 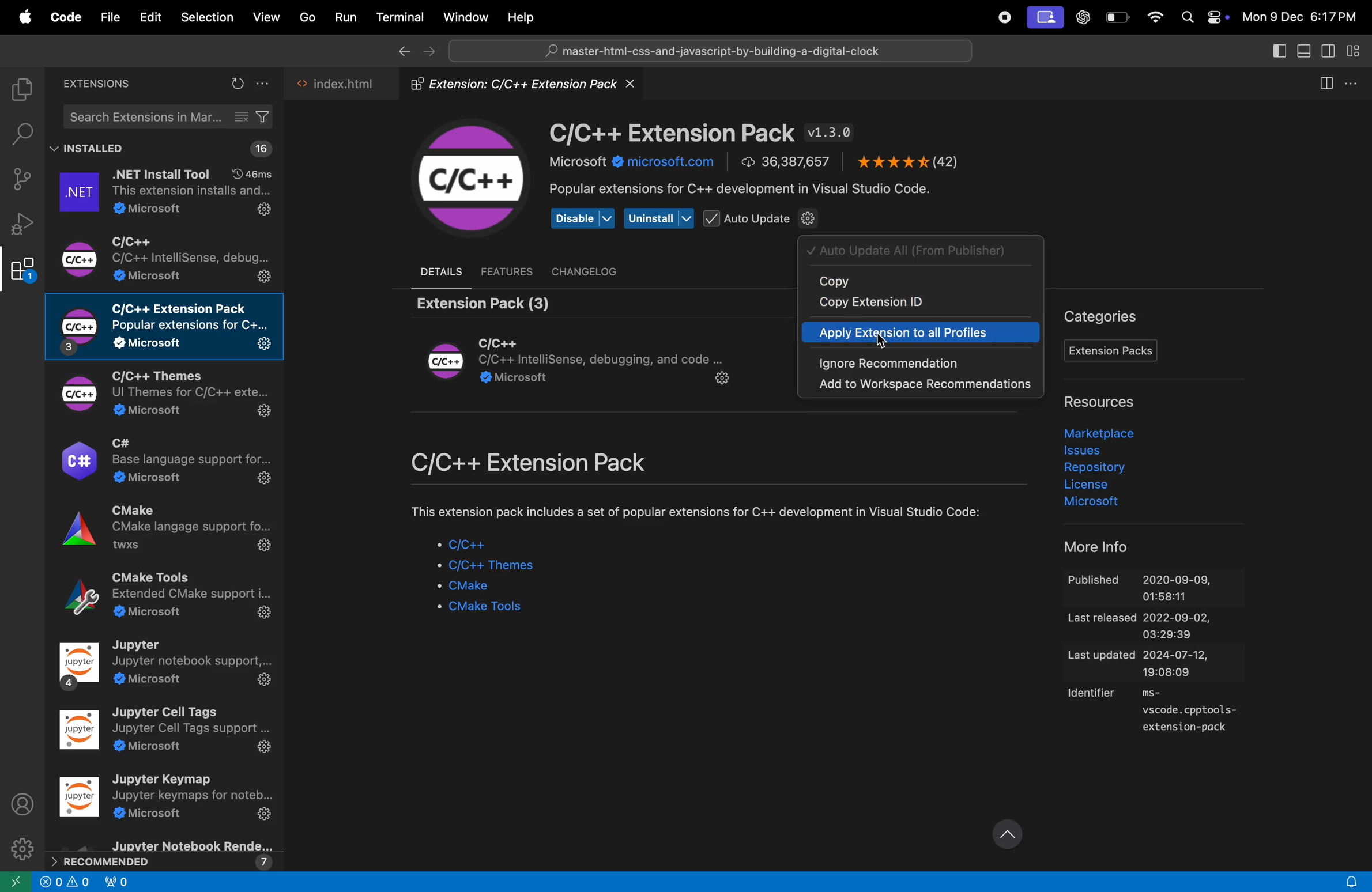 What do you see at coordinates (159, 394) in the screenshot?
I see `C/C++ themes` at bounding box center [159, 394].